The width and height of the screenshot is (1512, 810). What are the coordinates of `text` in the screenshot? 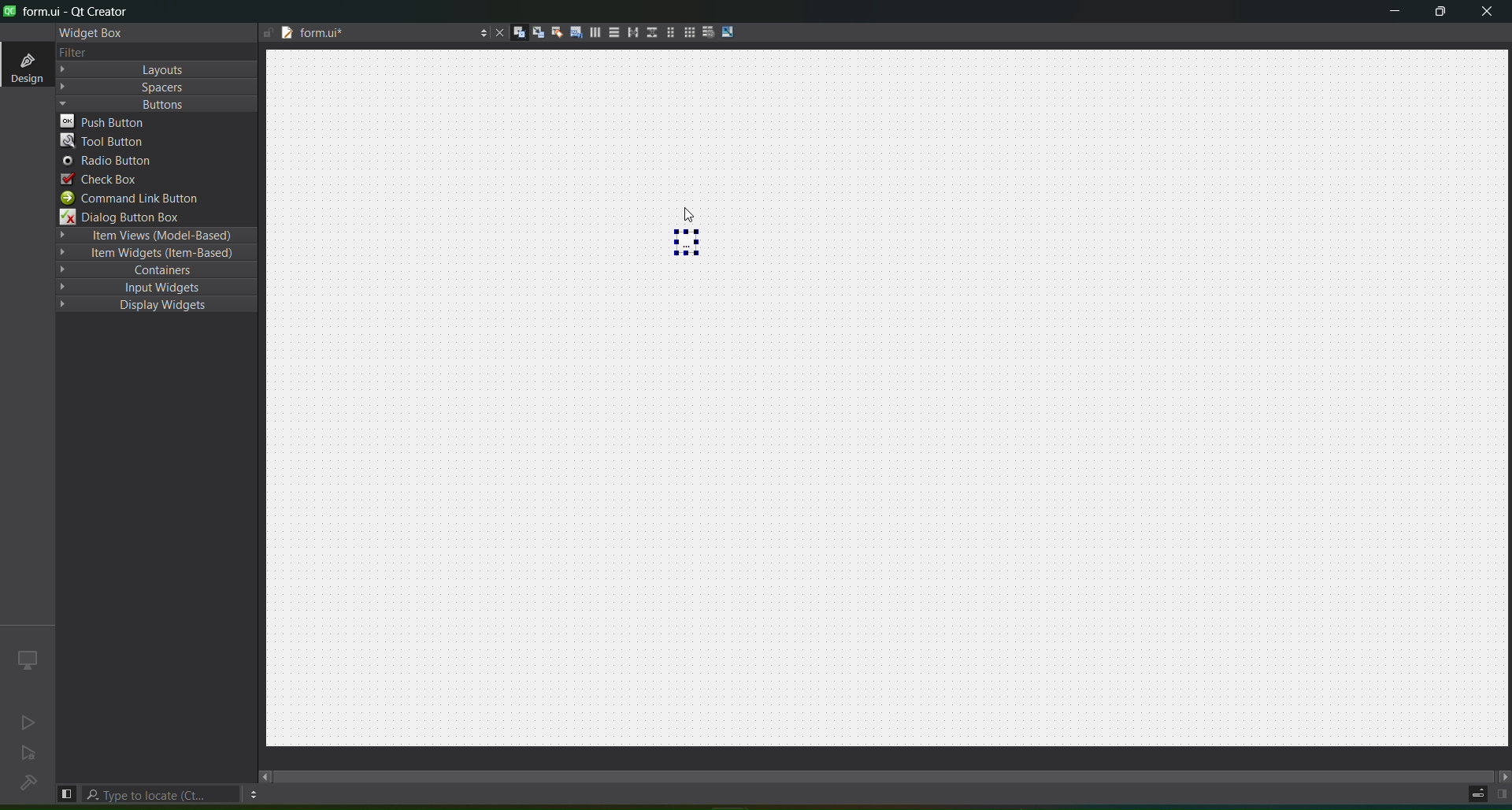 It's located at (78, 51).